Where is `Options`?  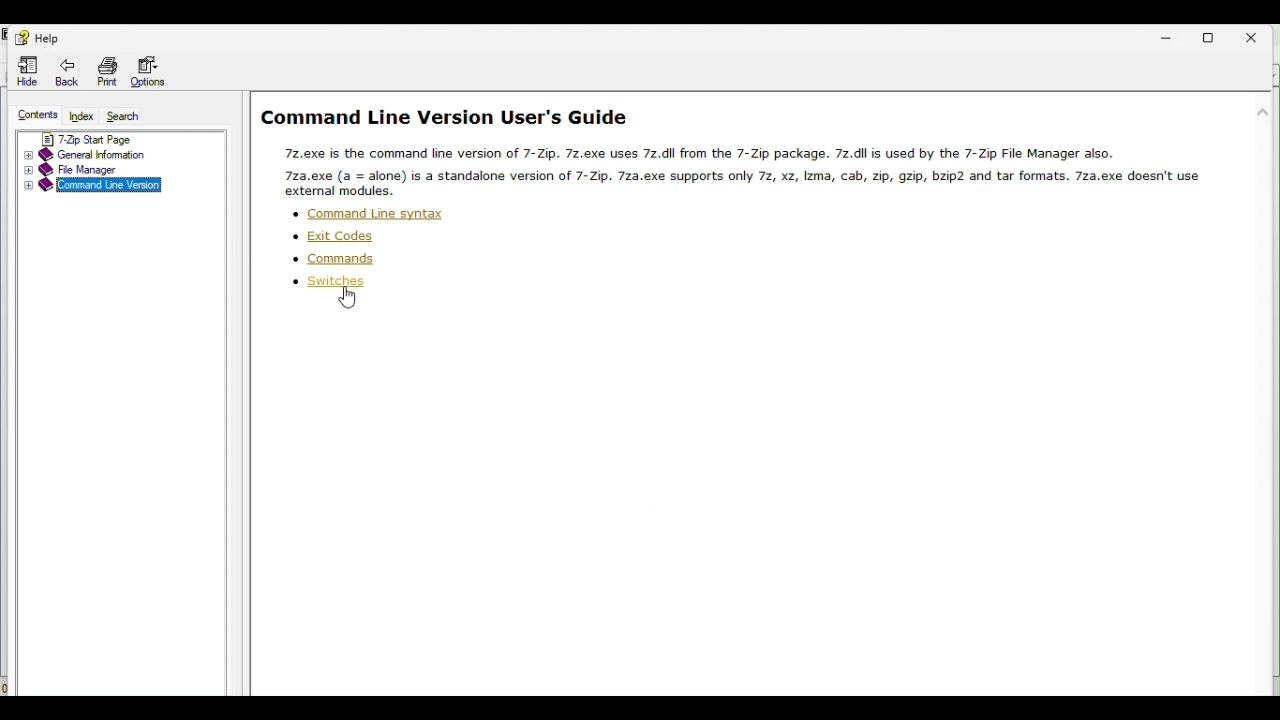 Options is located at coordinates (153, 73).